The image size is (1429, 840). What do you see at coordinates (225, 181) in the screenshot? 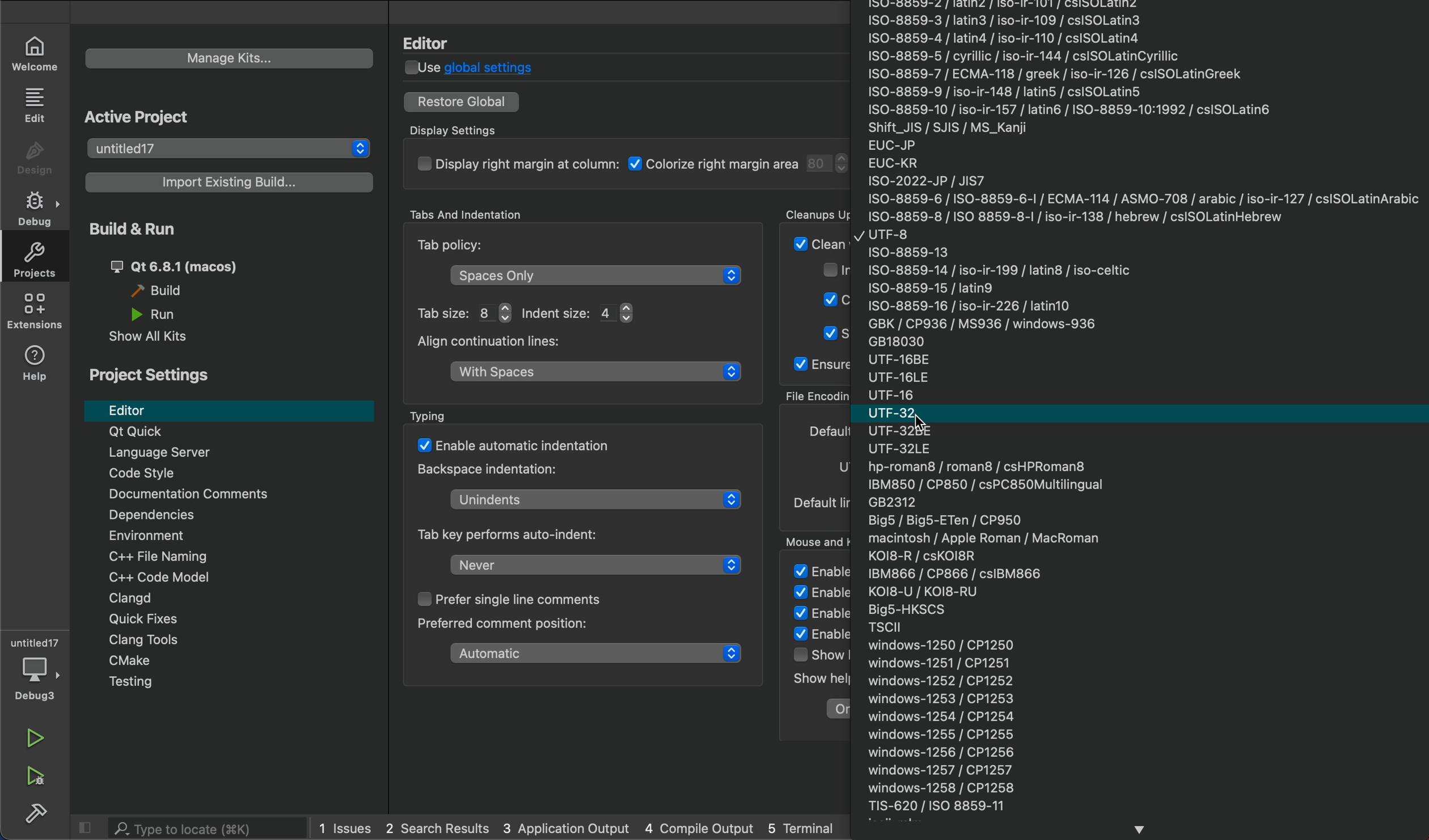
I see `existing builds` at bounding box center [225, 181].